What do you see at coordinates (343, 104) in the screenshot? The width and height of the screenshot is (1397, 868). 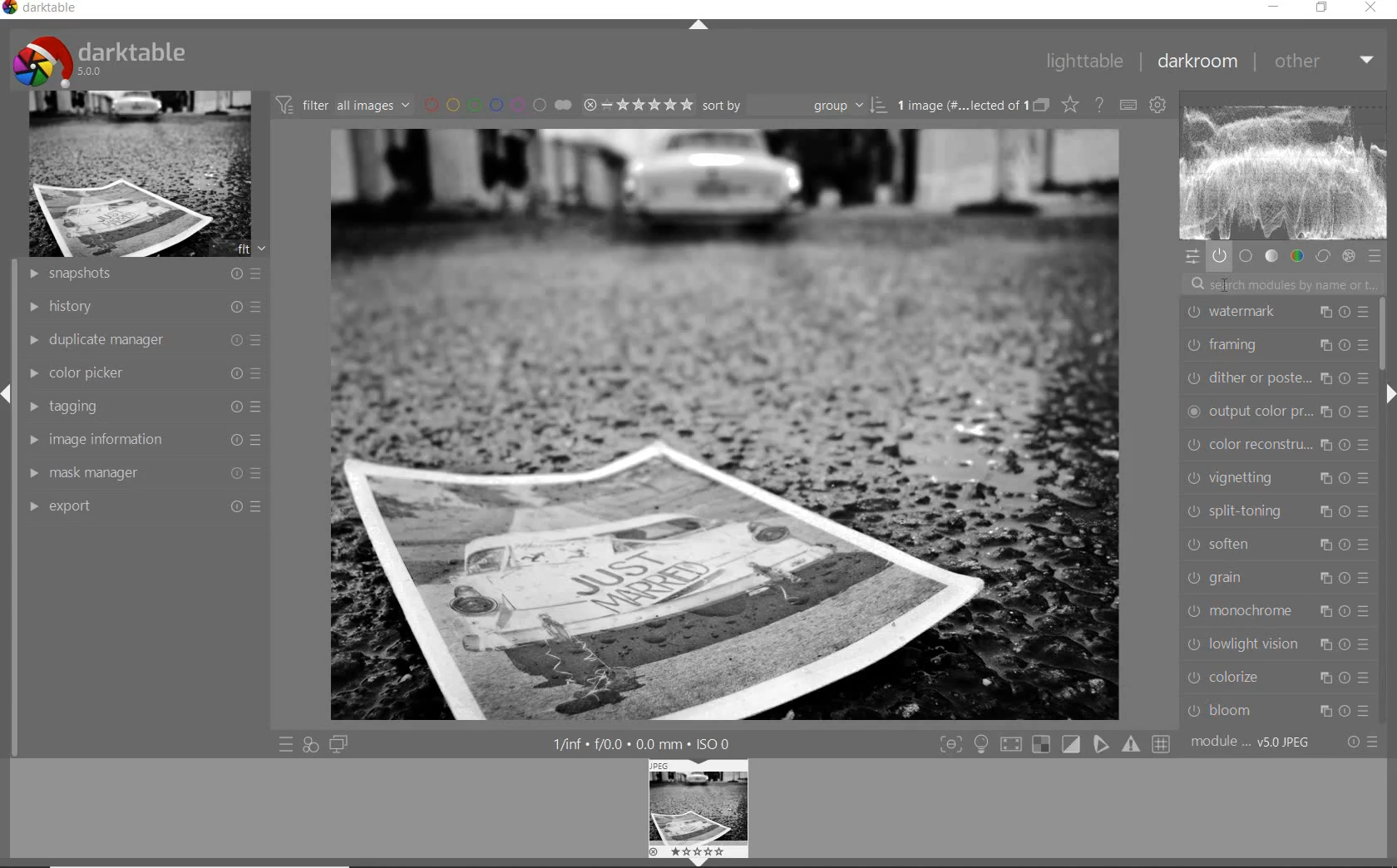 I see `filter images ` at bounding box center [343, 104].